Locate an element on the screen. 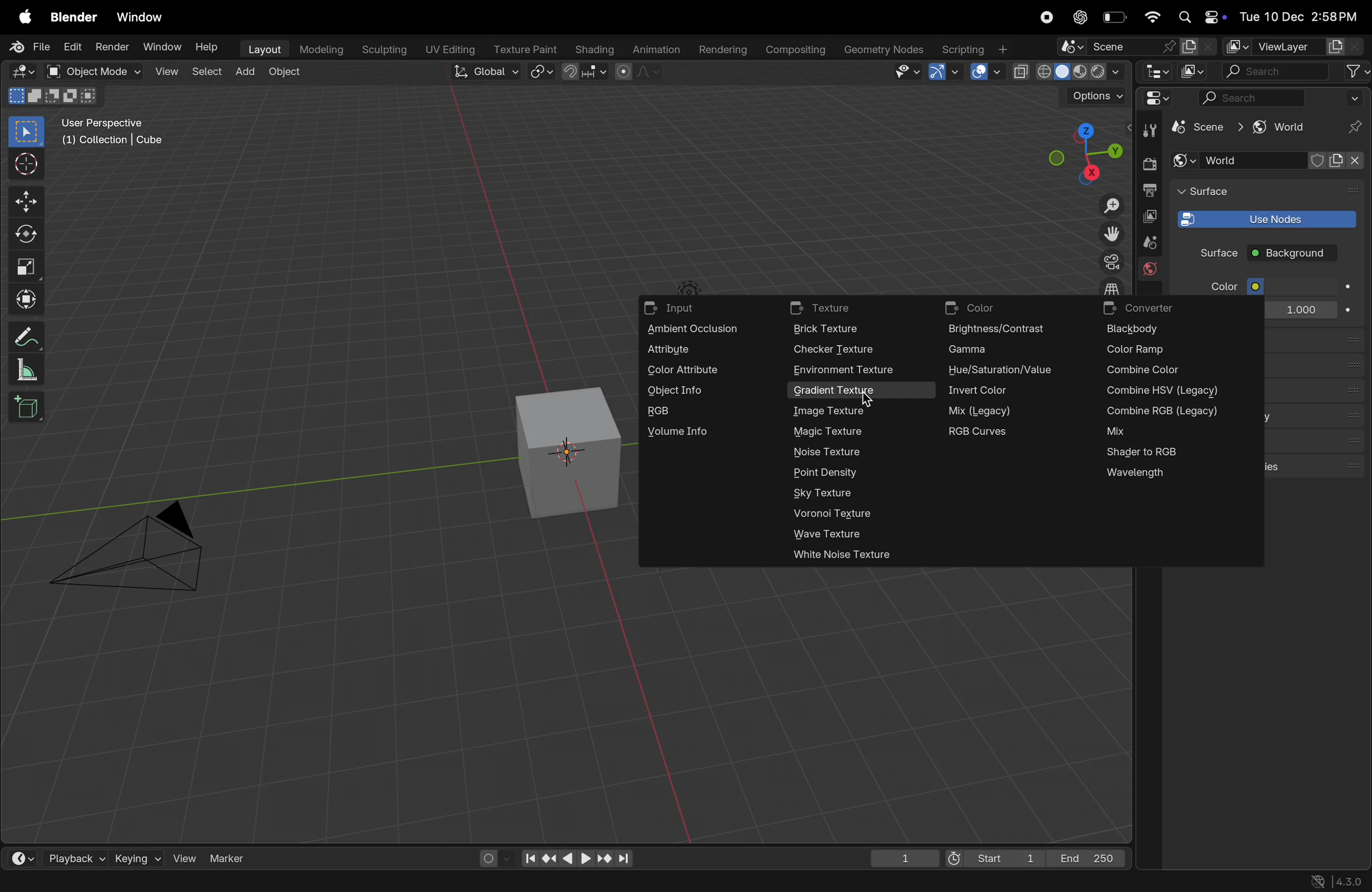  Shader RGB is located at coordinates (1156, 453).